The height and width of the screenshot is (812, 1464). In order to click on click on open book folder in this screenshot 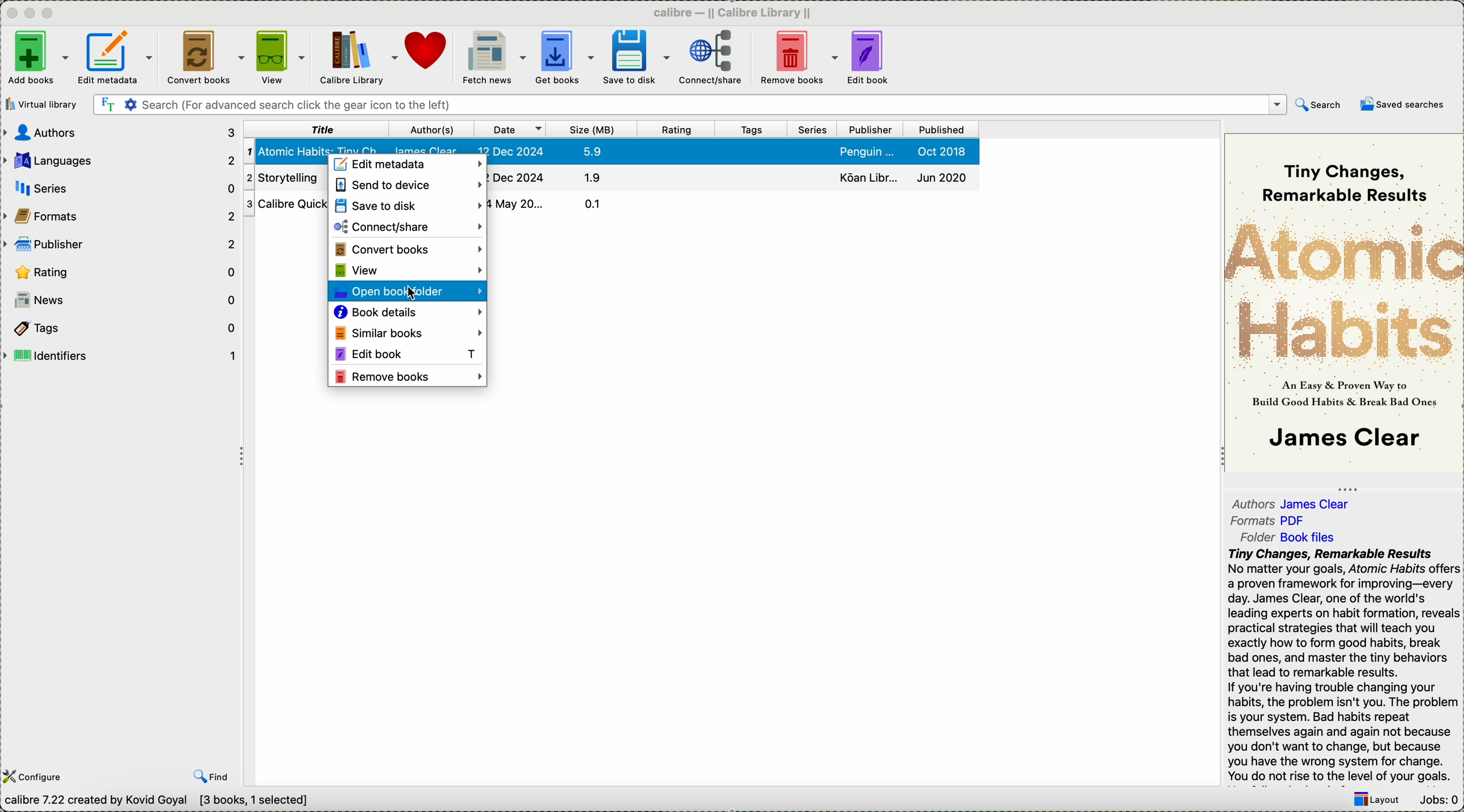, I will do `click(407, 292)`.